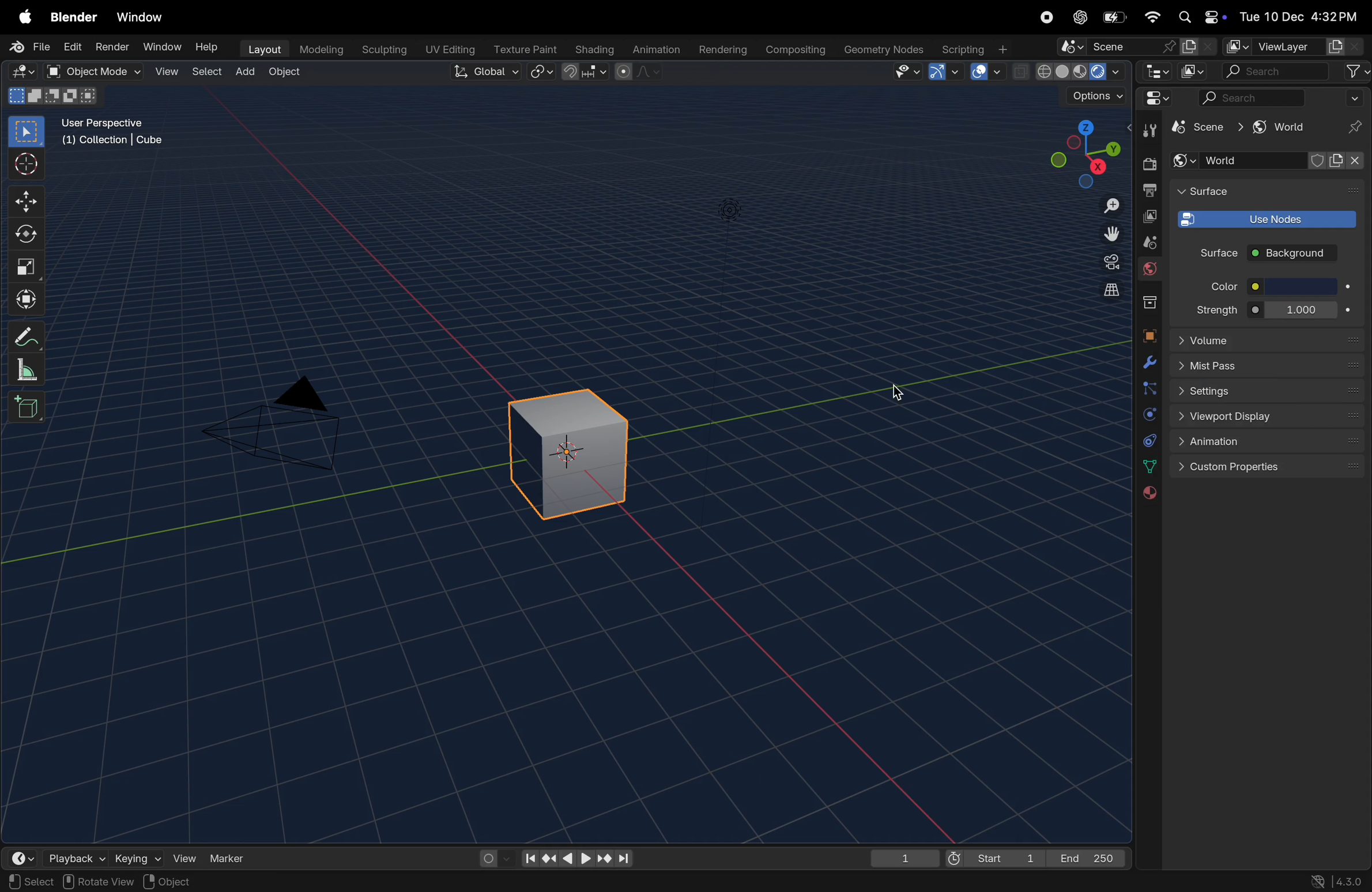 The image size is (1372, 892). I want to click on 3d cube, so click(576, 448).